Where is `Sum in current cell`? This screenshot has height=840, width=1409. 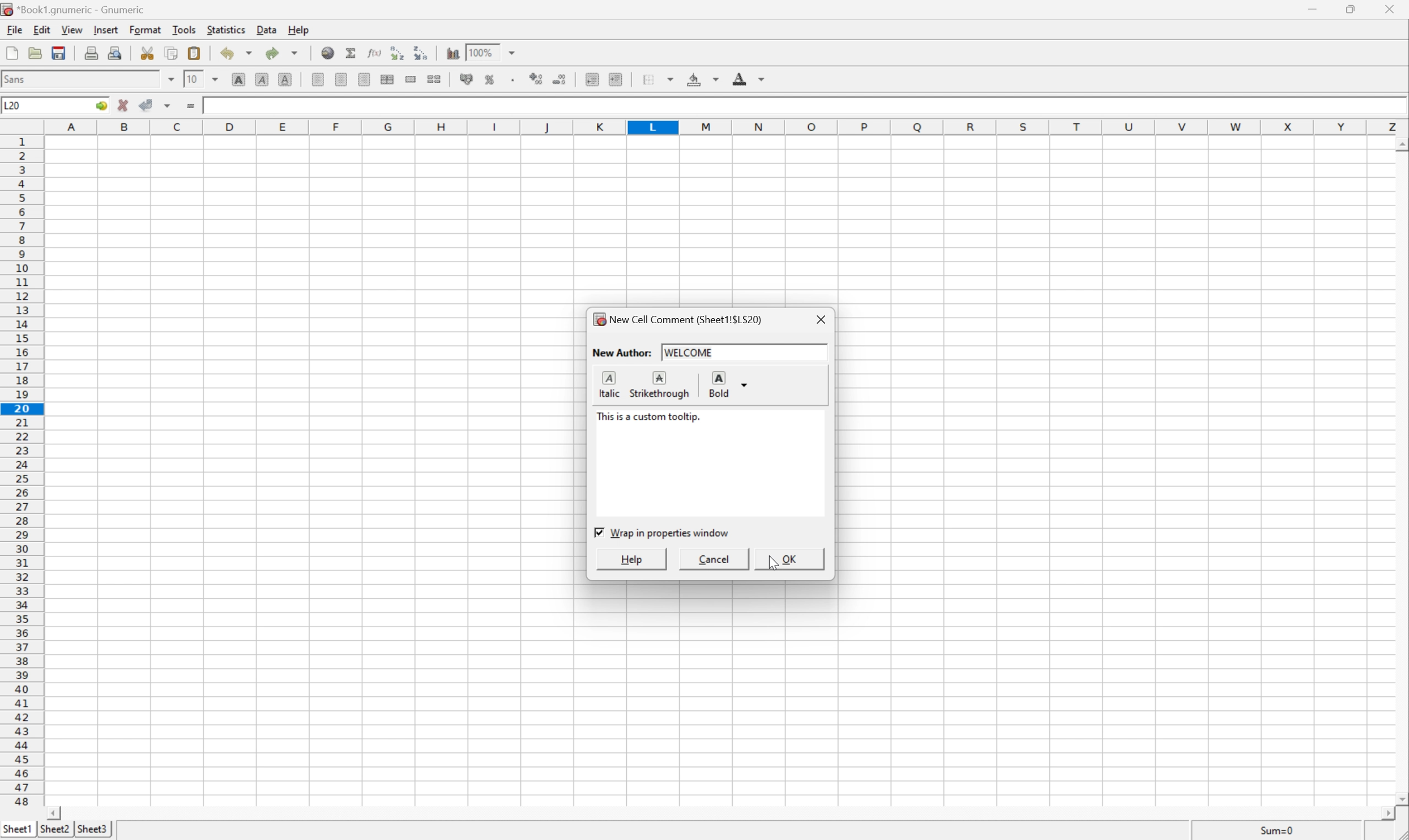 Sum in current cell is located at coordinates (352, 52).